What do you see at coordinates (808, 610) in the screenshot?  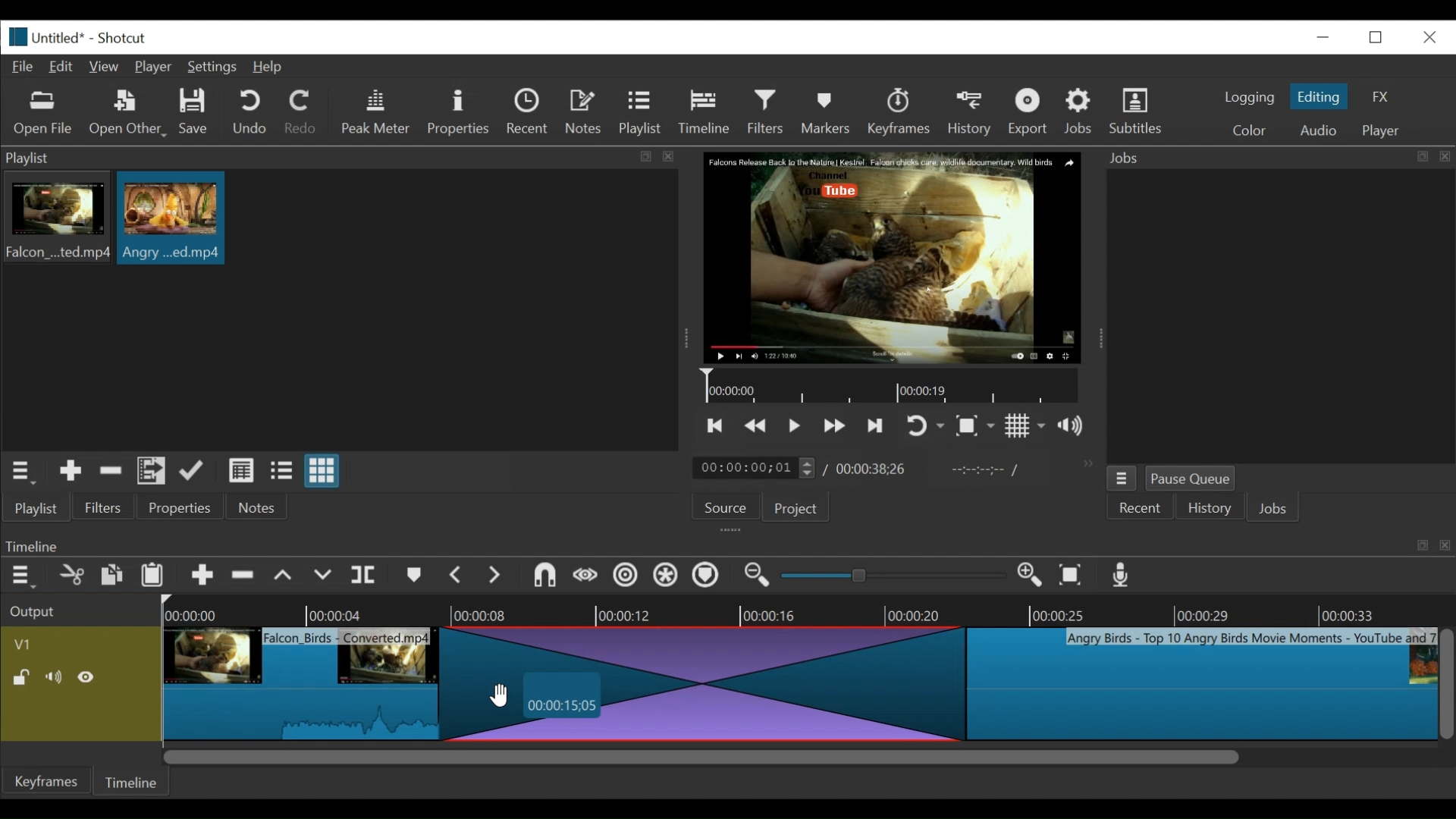 I see `Timeline` at bounding box center [808, 610].